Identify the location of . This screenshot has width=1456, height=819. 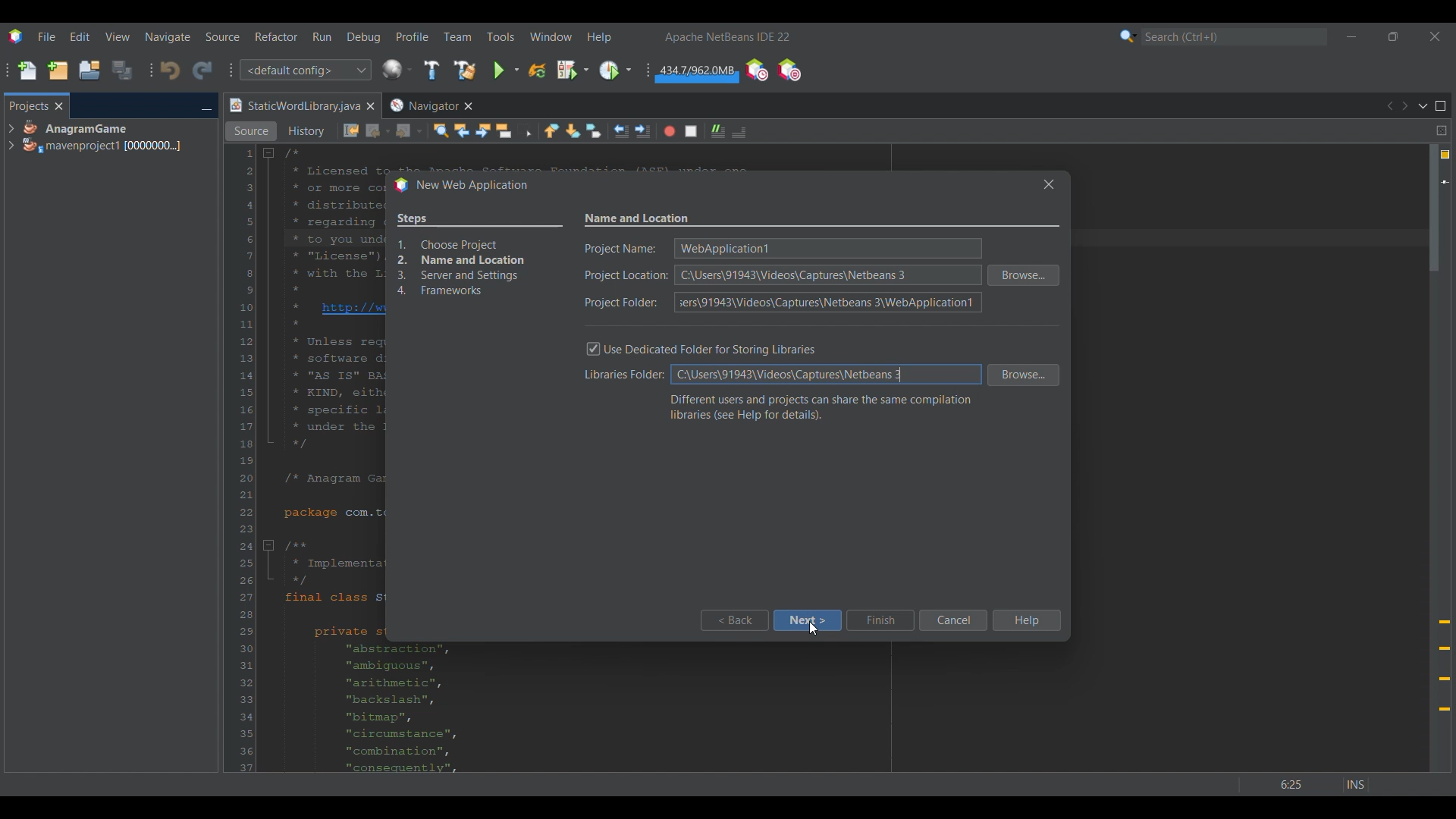
(811, 630).